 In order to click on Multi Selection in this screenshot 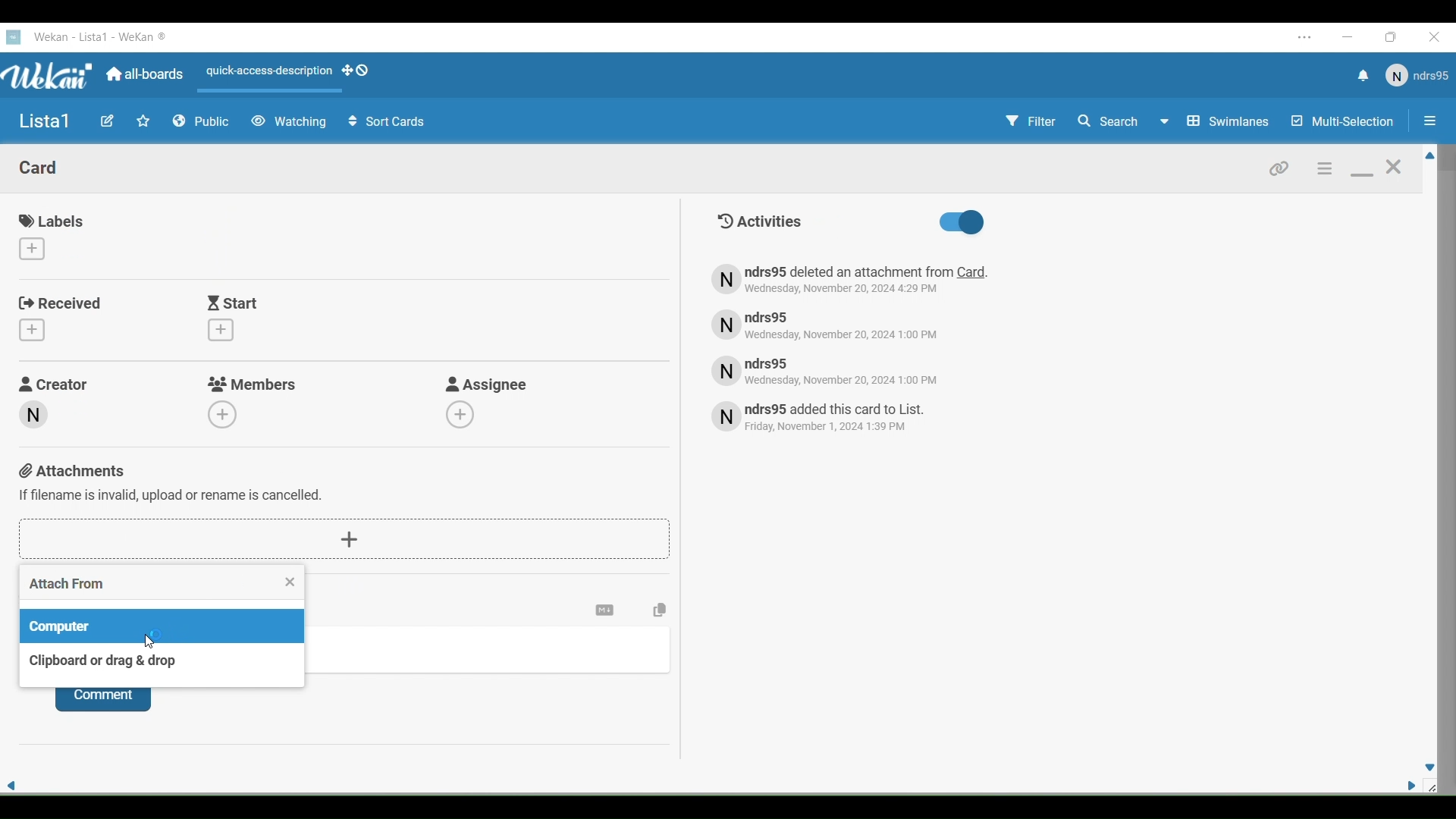, I will do `click(1341, 122)`.